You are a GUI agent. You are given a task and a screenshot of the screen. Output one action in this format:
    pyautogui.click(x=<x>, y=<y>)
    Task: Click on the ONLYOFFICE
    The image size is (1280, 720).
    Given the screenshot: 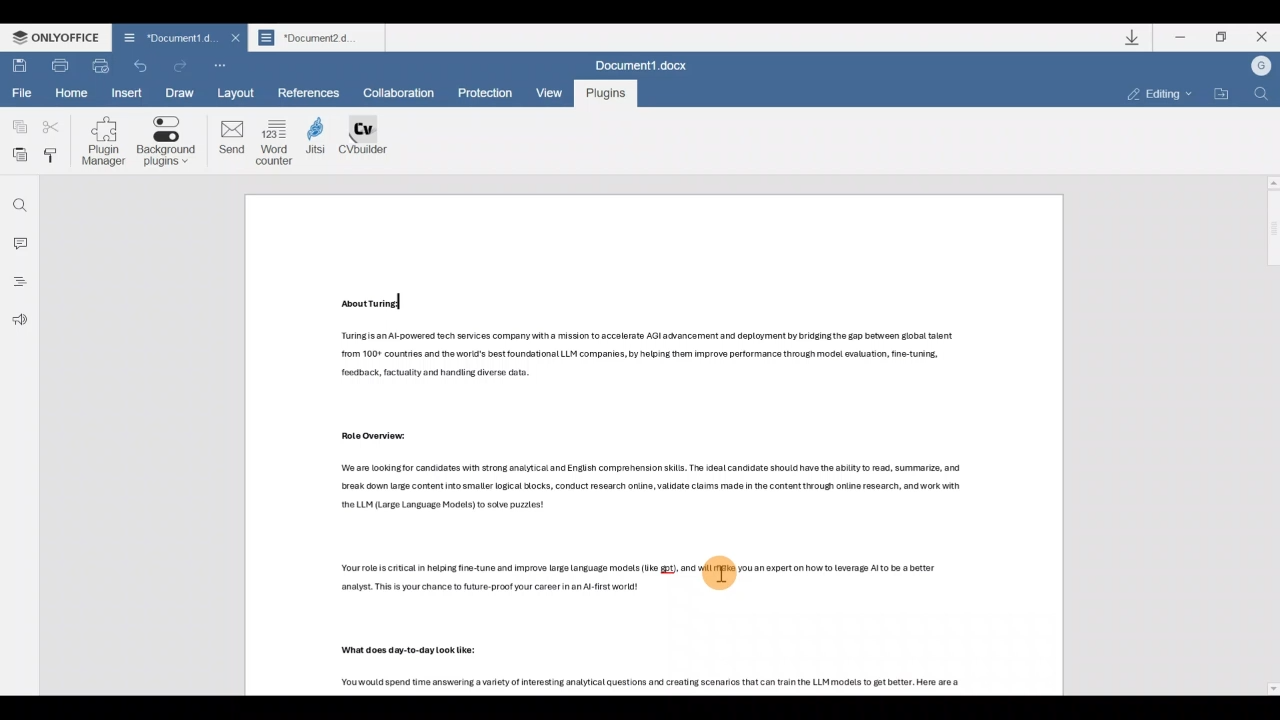 What is the action you would take?
    pyautogui.click(x=58, y=39)
    